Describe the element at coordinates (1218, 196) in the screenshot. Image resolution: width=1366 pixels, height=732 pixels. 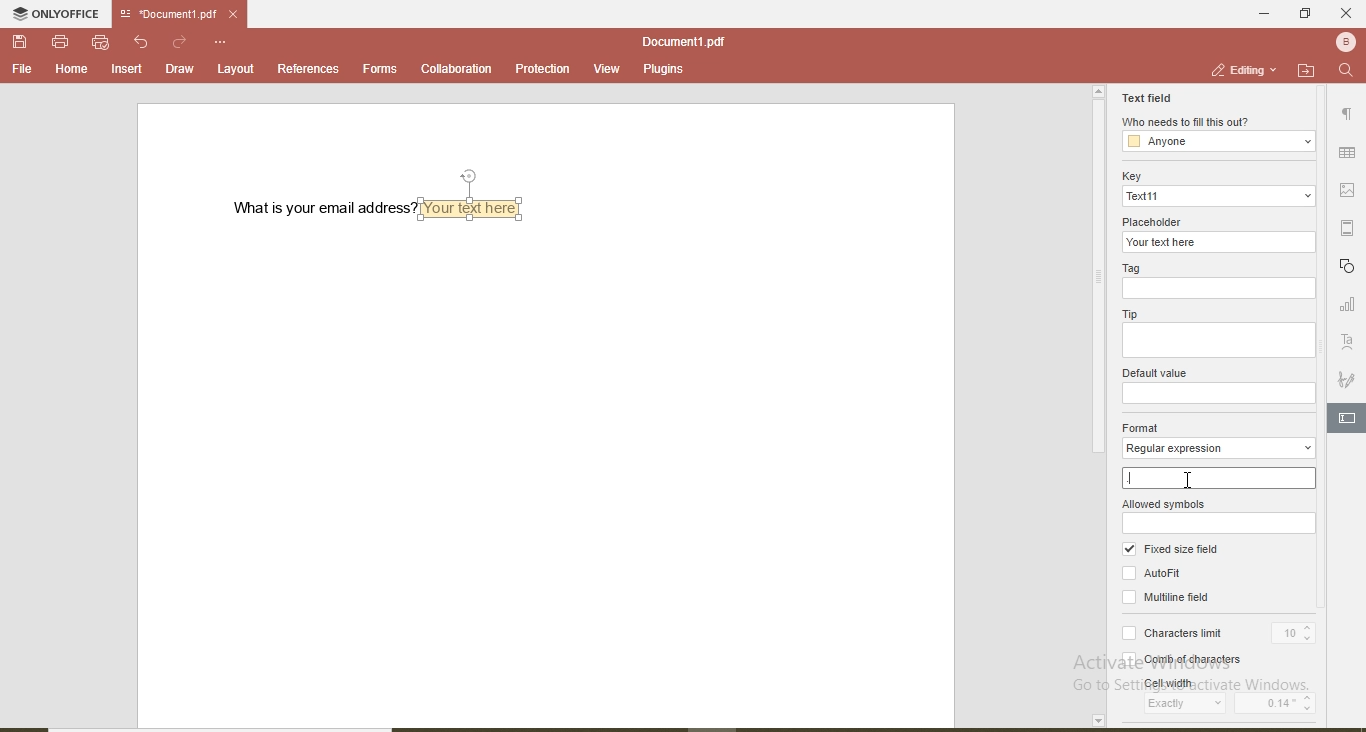
I see `text11` at that location.